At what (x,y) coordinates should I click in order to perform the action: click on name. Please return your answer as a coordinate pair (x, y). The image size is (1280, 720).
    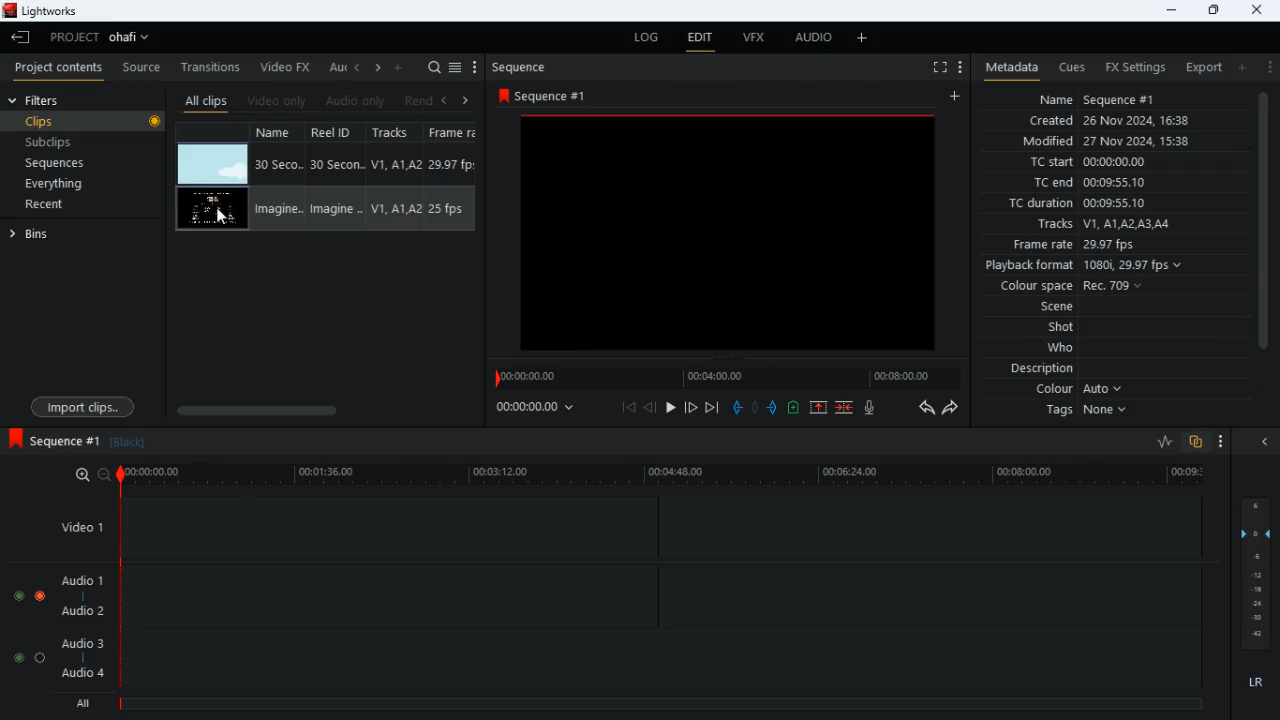
    Looking at the image, I should click on (277, 177).